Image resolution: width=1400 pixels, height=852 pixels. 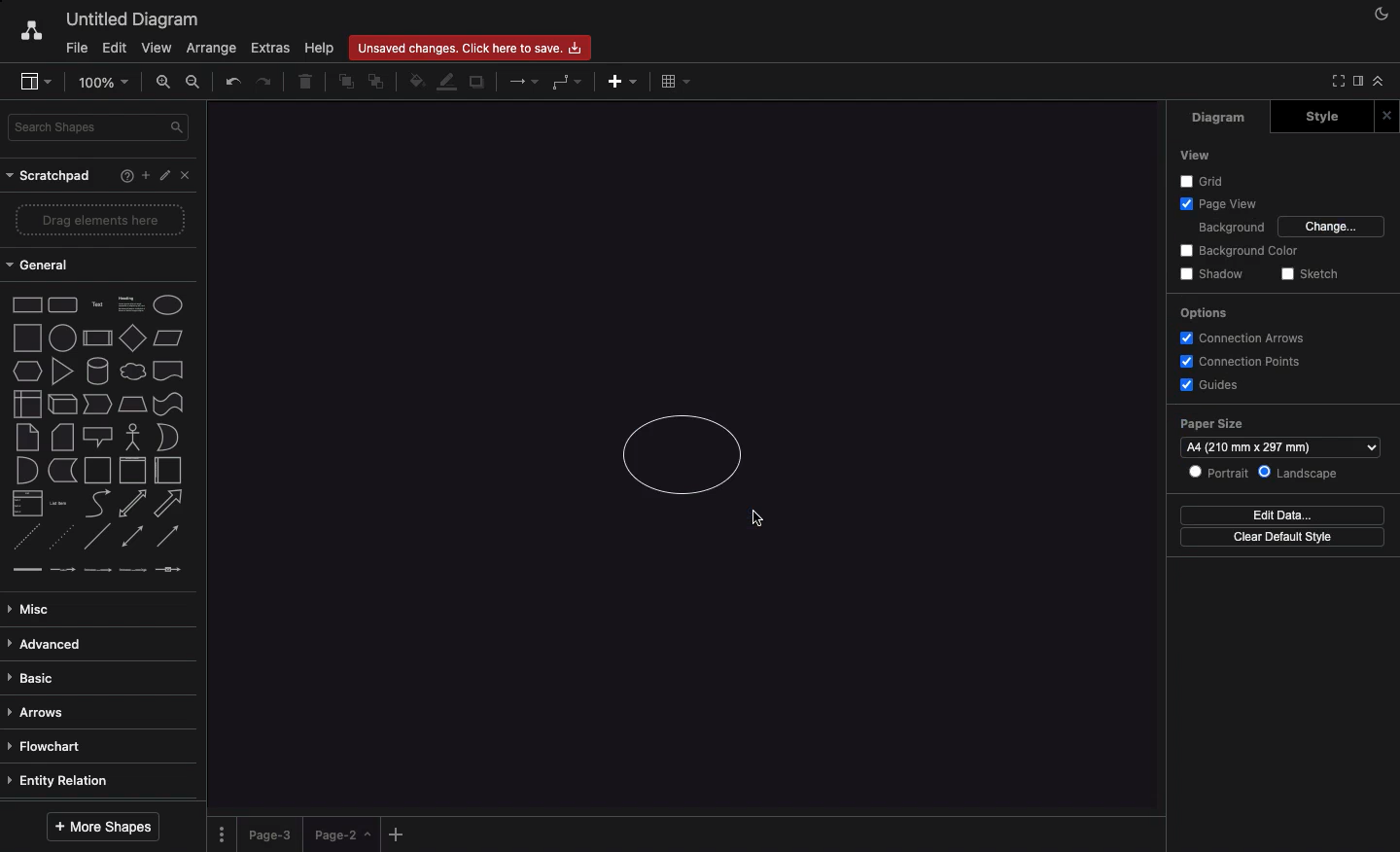 What do you see at coordinates (63, 303) in the screenshot?
I see `rounded rectangle` at bounding box center [63, 303].